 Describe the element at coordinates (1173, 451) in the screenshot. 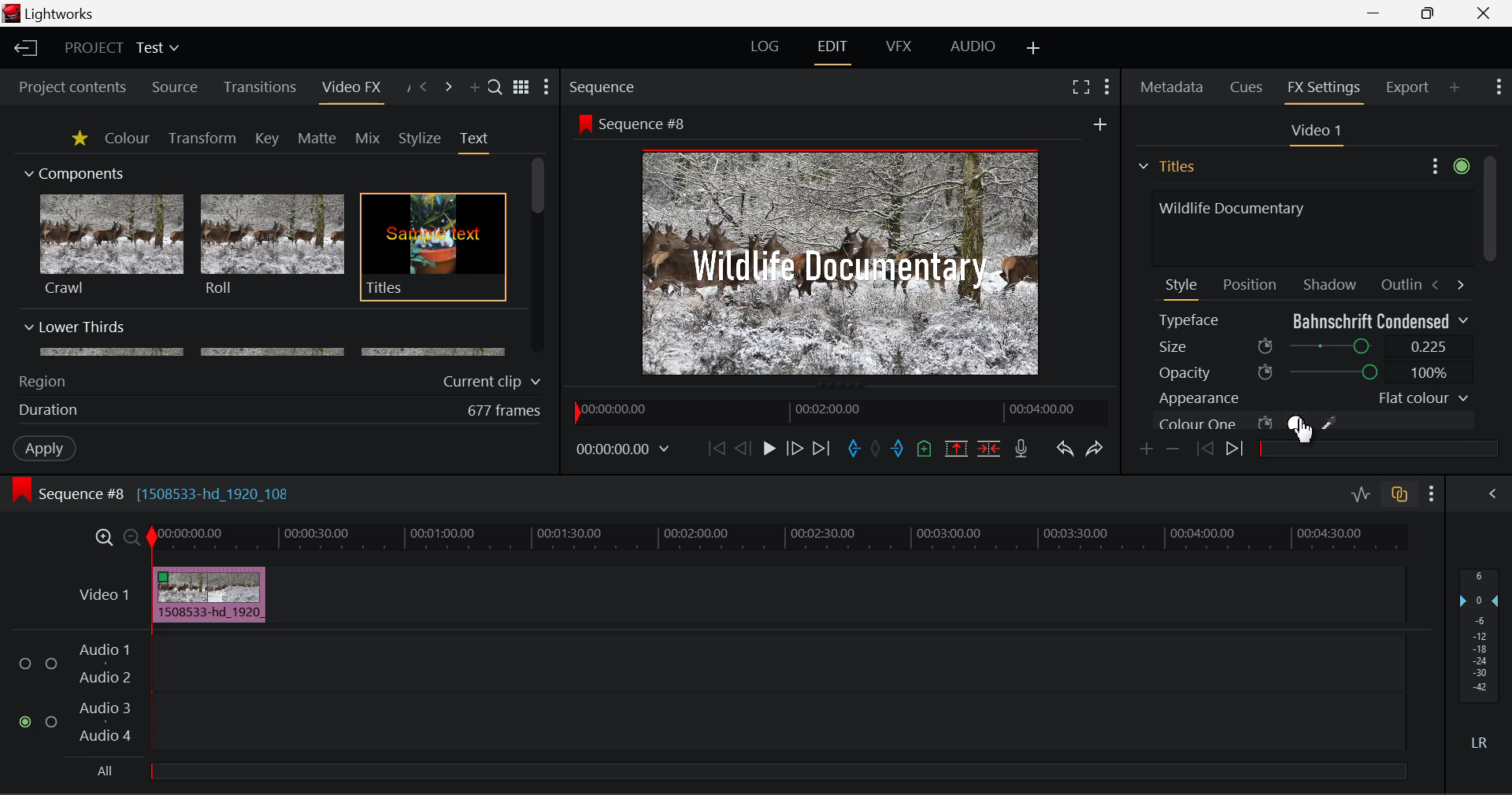

I see `Remove keyframe` at that location.